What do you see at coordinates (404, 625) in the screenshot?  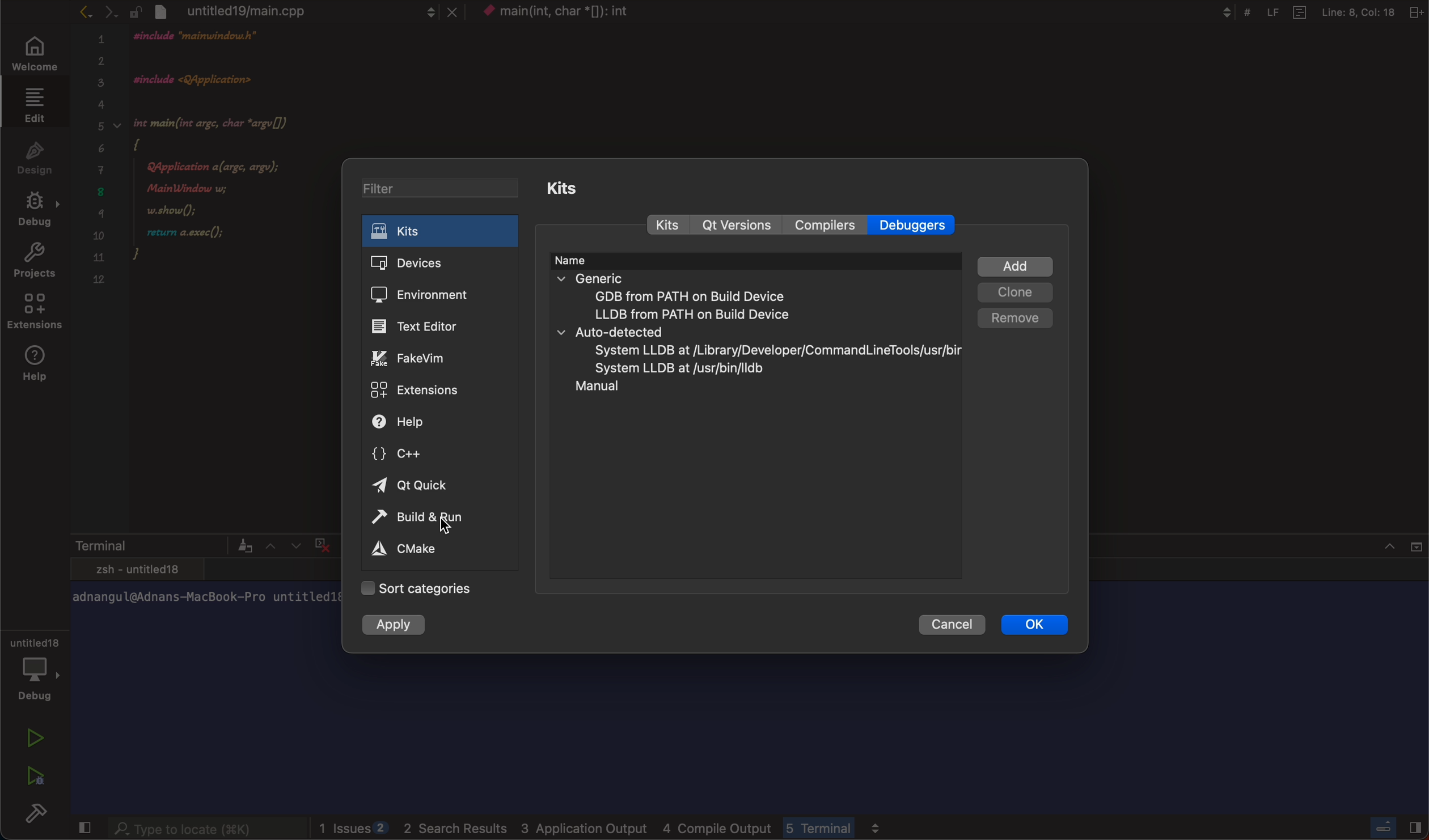 I see `apply` at bounding box center [404, 625].